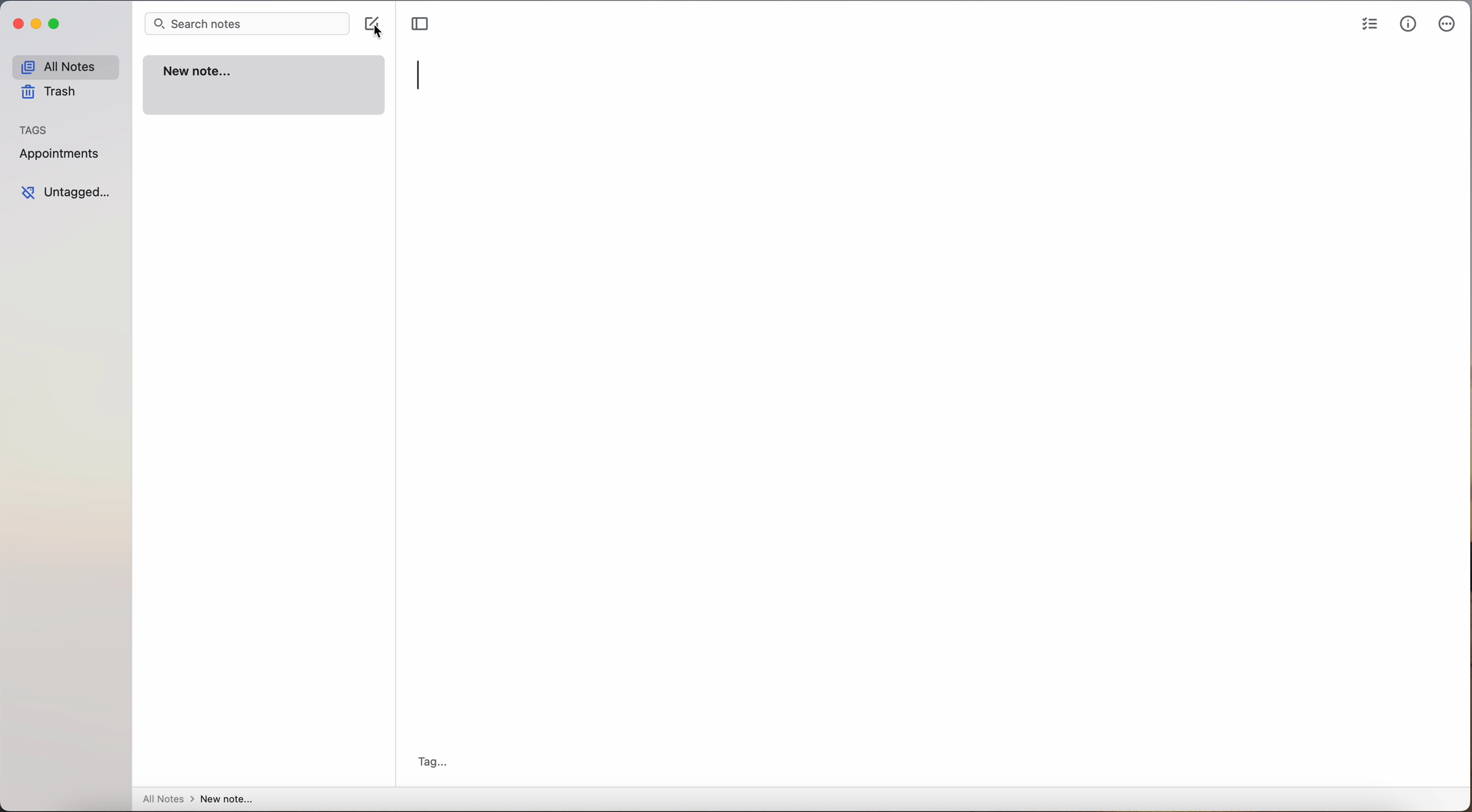 The height and width of the screenshot is (812, 1472). Describe the element at coordinates (49, 92) in the screenshot. I see `trash` at that location.